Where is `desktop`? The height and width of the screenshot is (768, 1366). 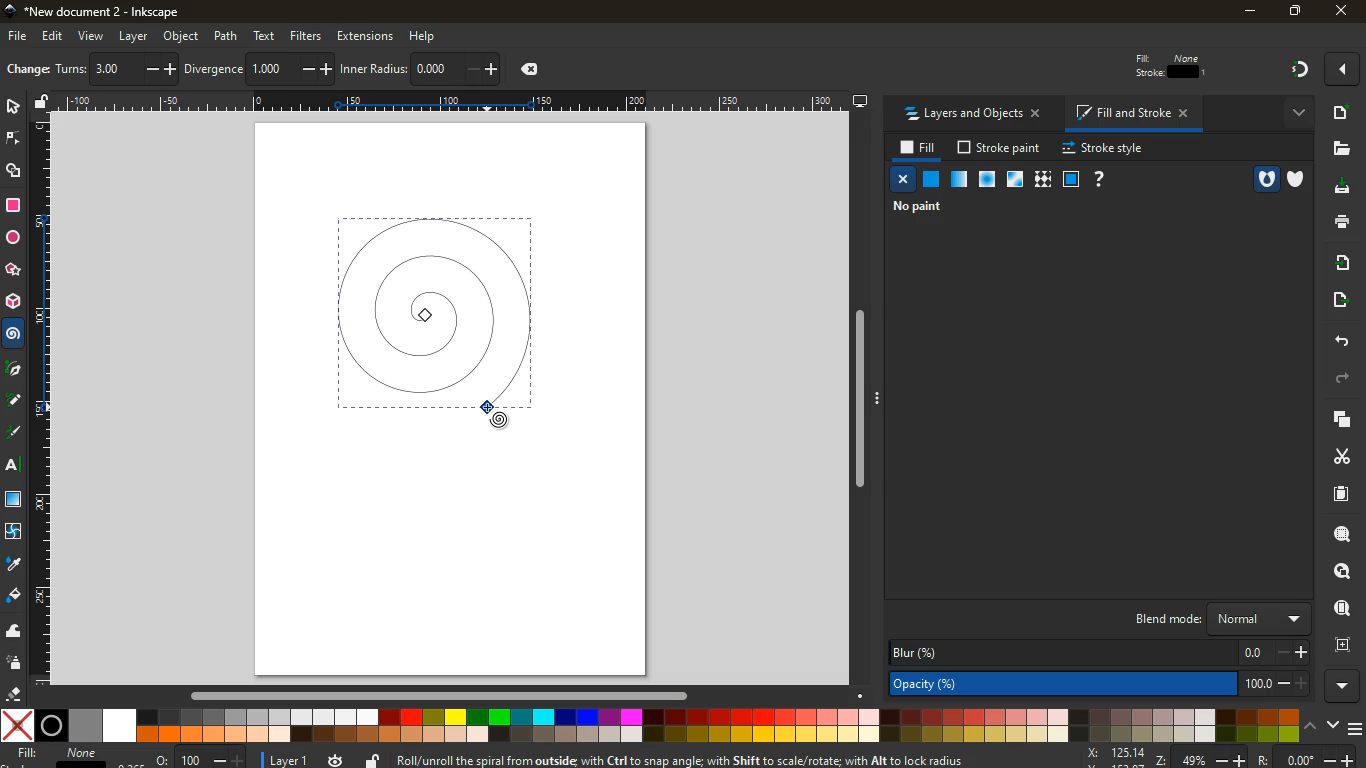
desktop is located at coordinates (860, 103).